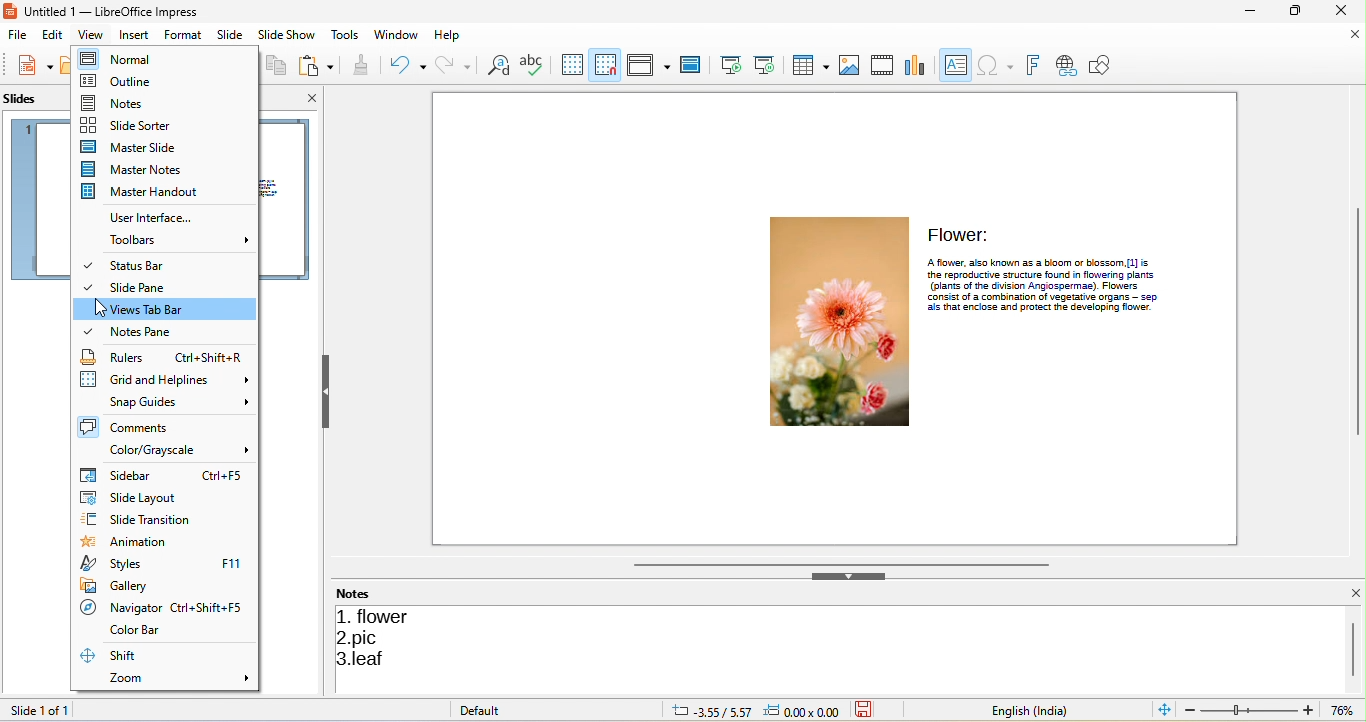 Image resolution: width=1366 pixels, height=722 pixels. I want to click on minimize, so click(1254, 11).